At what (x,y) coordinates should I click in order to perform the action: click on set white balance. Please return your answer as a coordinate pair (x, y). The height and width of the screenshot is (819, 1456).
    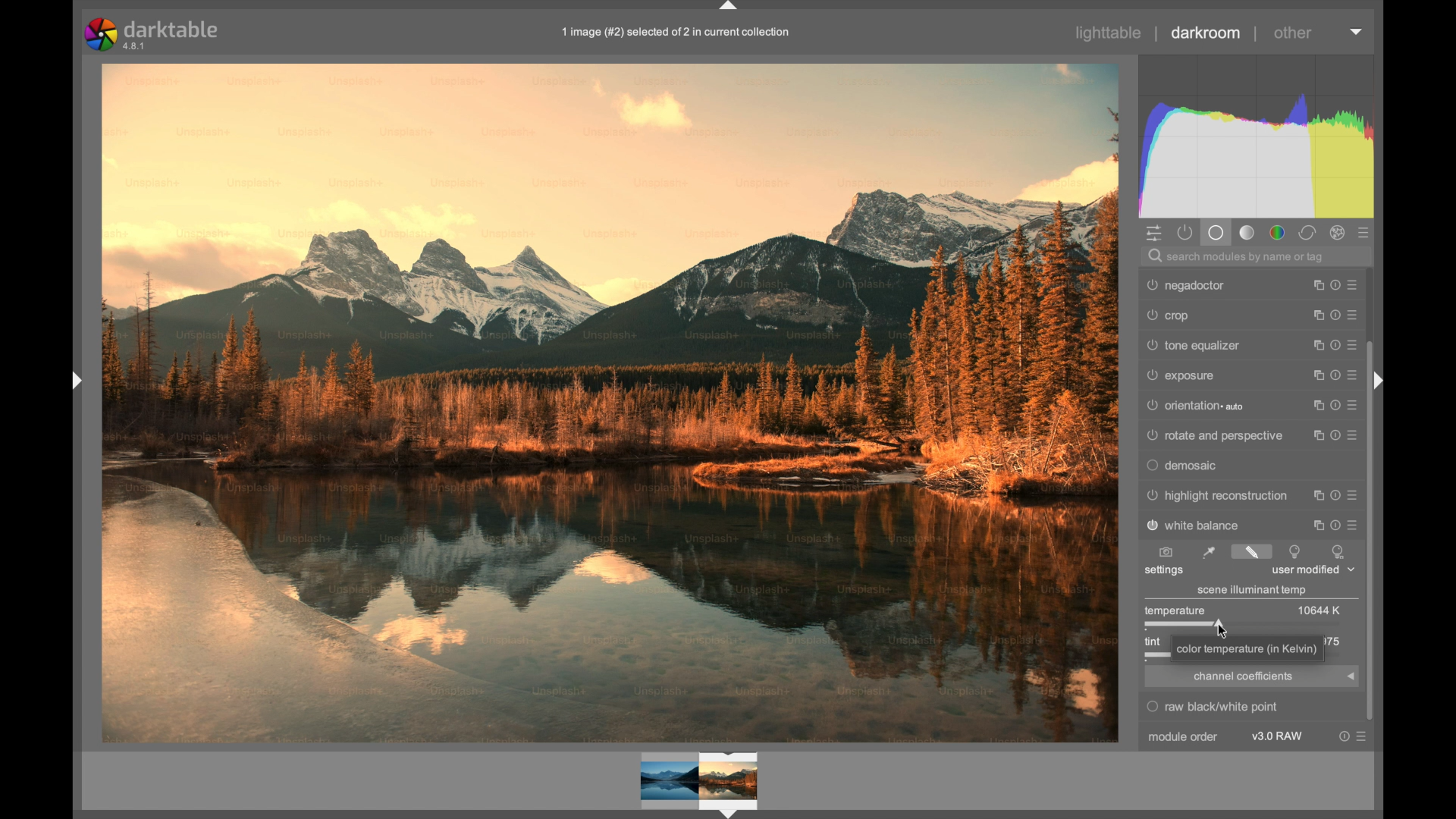
    Looking at the image, I should click on (1297, 552).